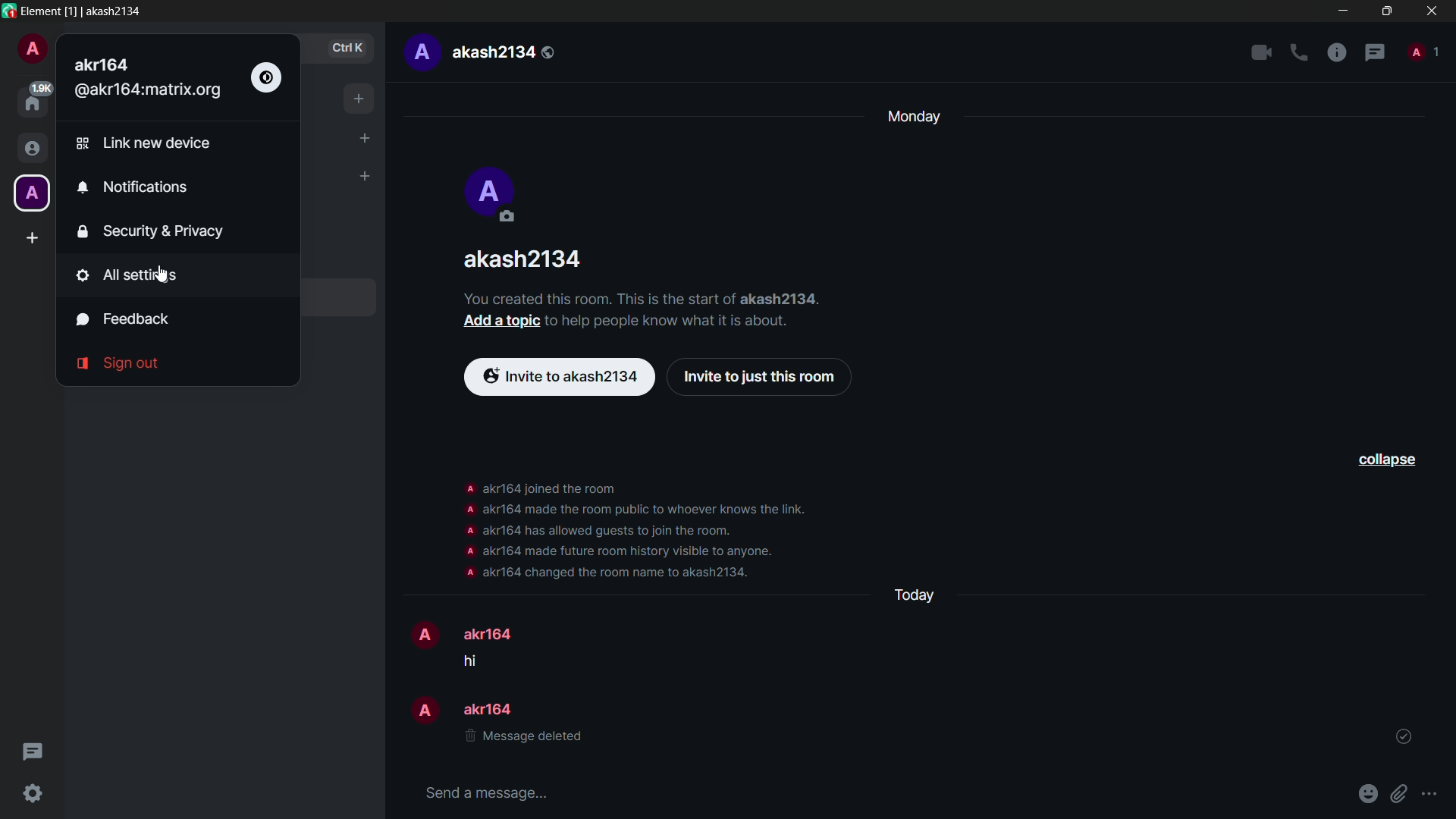 The width and height of the screenshot is (1456, 819). Describe the element at coordinates (493, 633) in the screenshot. I see `akr164` at that location.